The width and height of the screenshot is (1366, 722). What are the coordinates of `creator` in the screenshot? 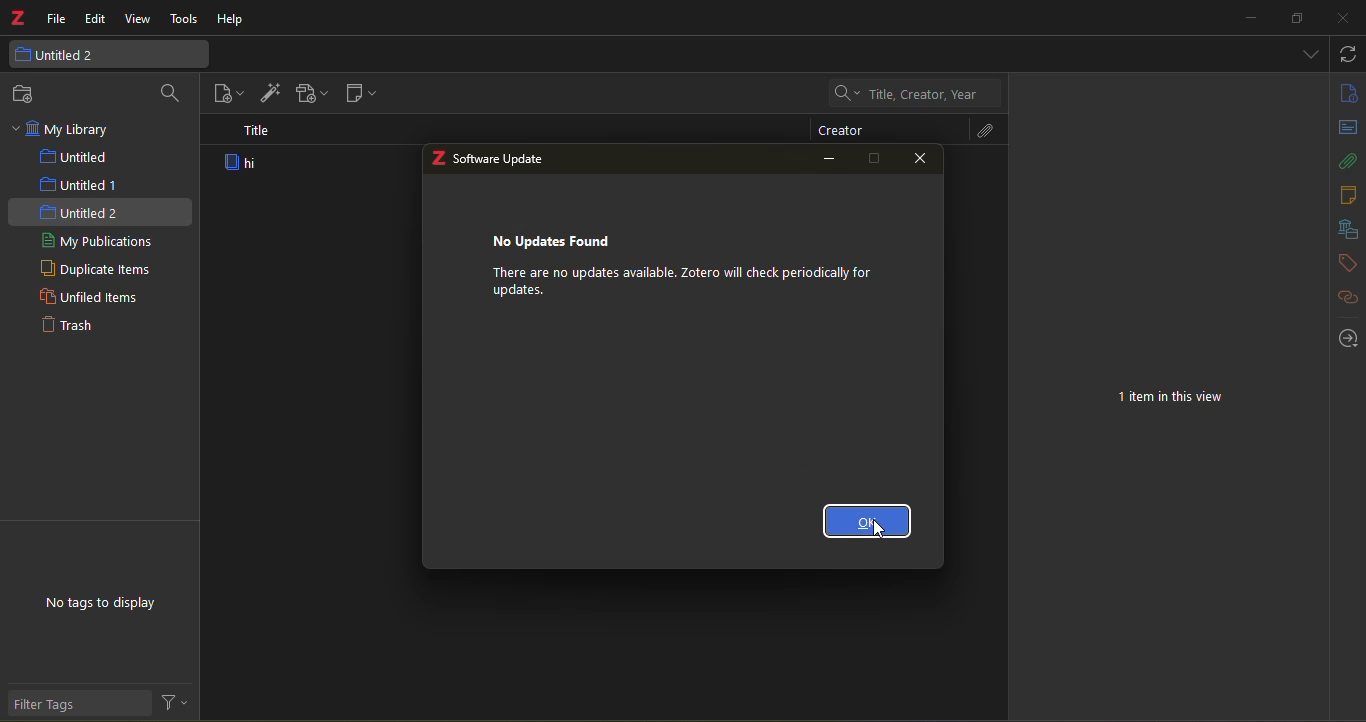 It's located at (840, 131).